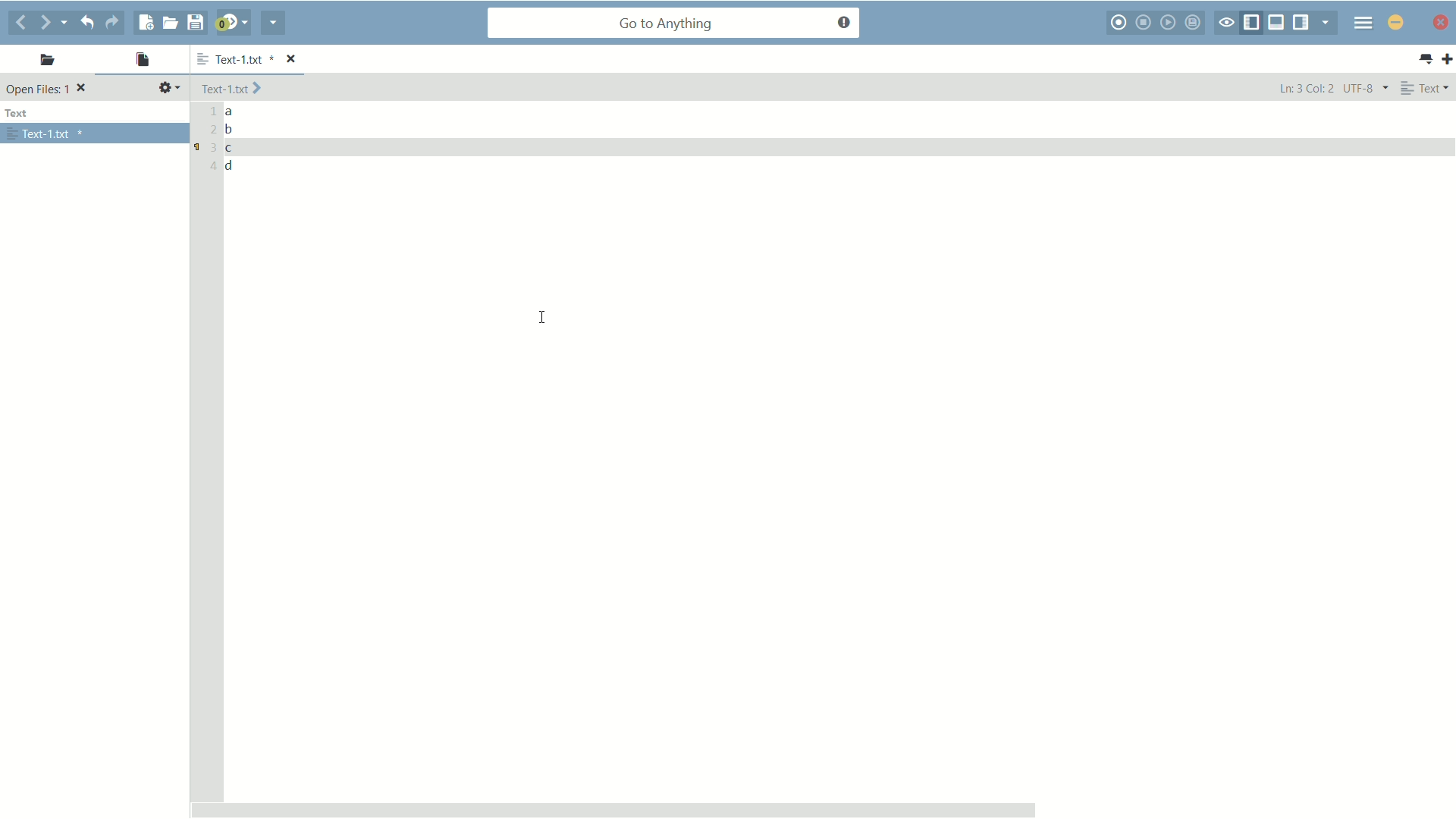  Describe the element at coordinates (49, 89) in the screenshot. I see `Open files: 1` at that location.